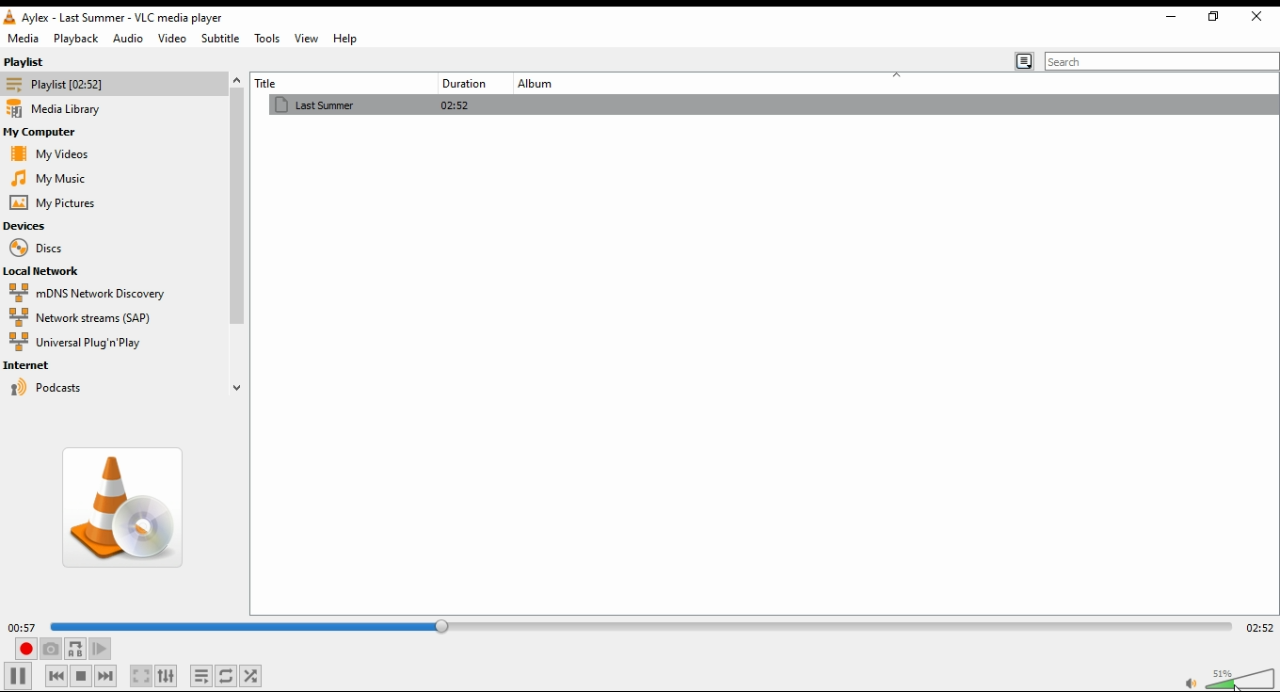  Describe the element at coordinates (169, 676) in the screenshot. I see `show extended settings` at that location.